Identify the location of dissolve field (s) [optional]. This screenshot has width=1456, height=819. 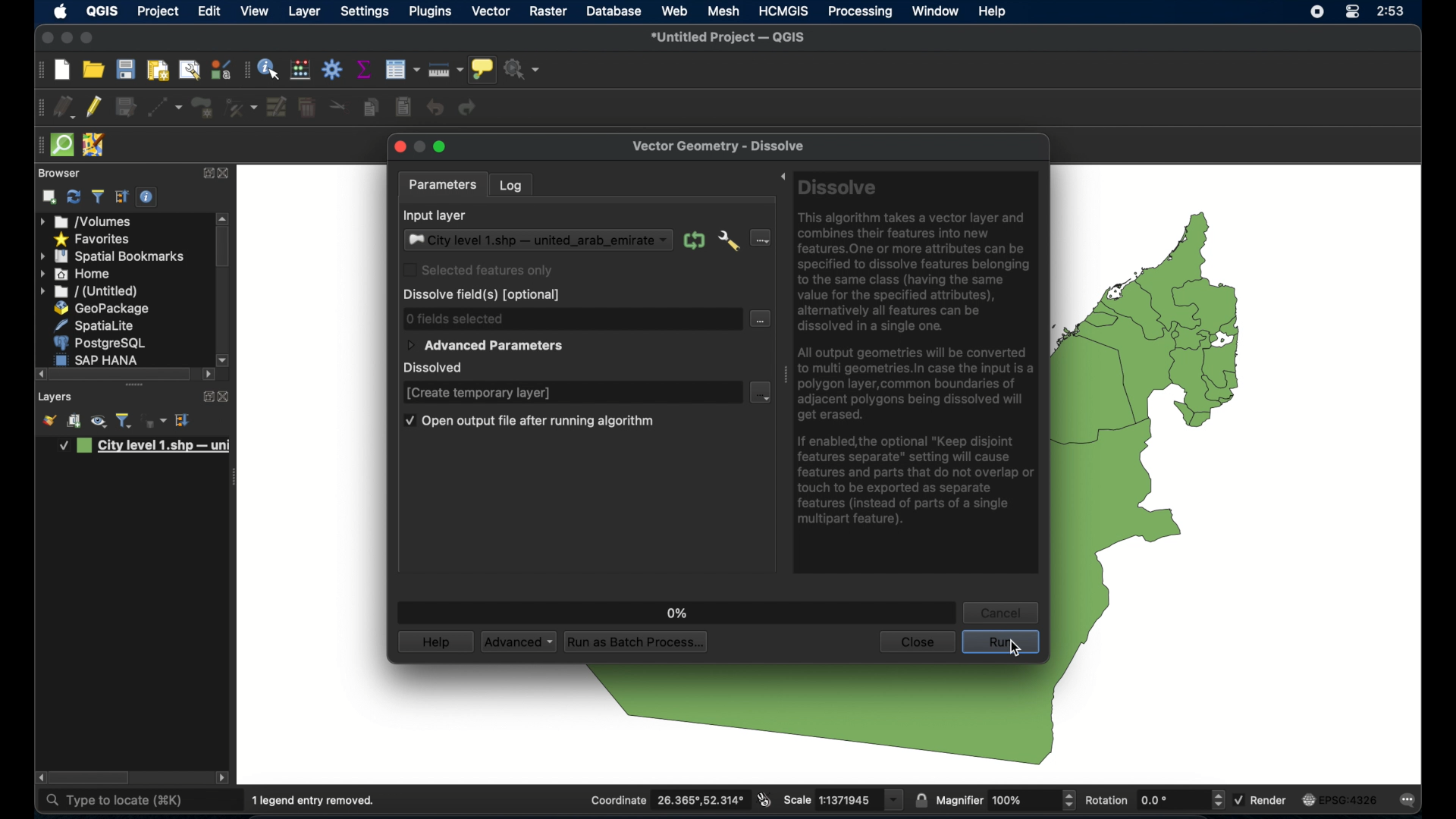
(484, 295).